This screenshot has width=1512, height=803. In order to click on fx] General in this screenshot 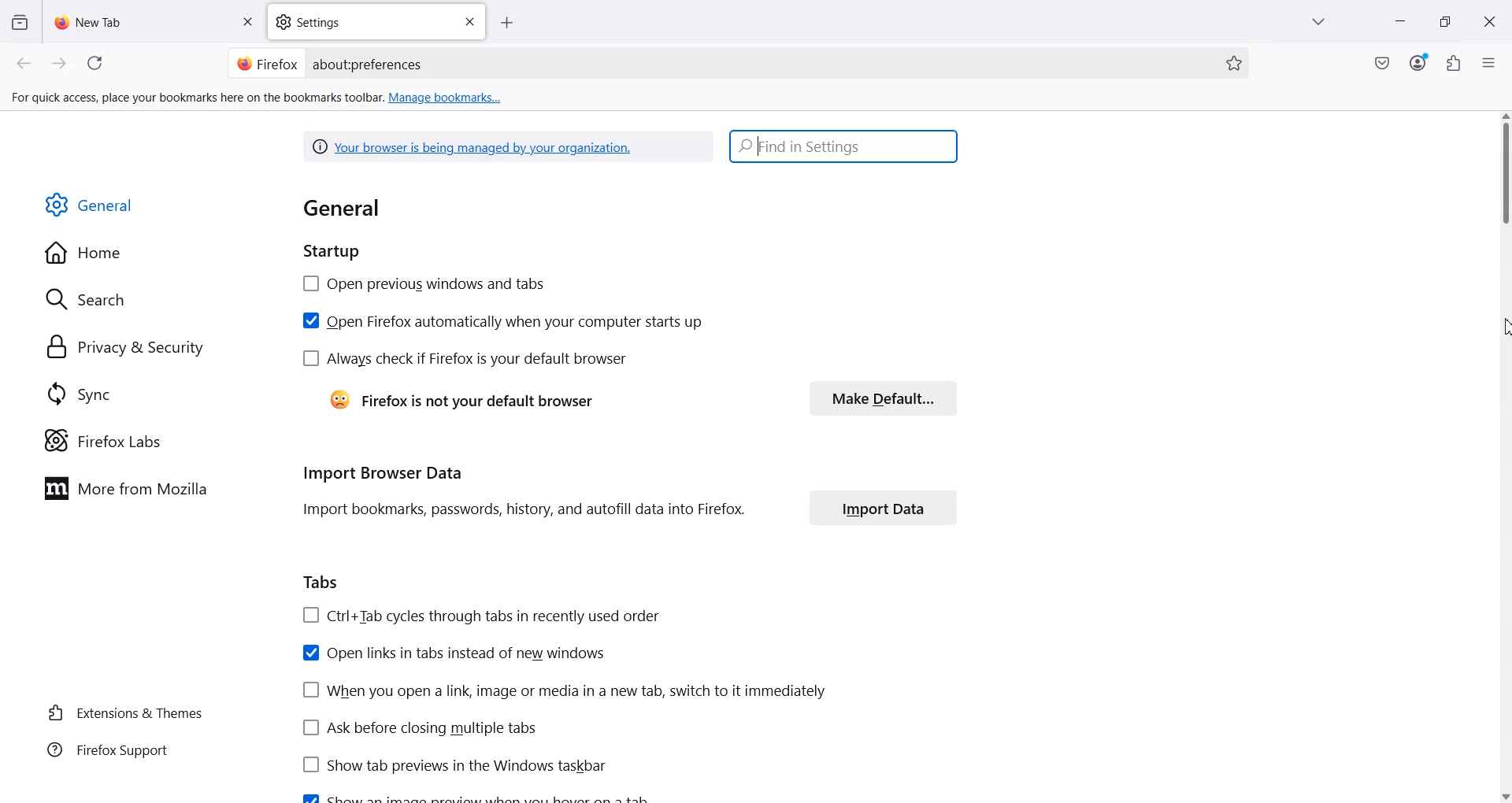, I will do `click(90, 205)`.